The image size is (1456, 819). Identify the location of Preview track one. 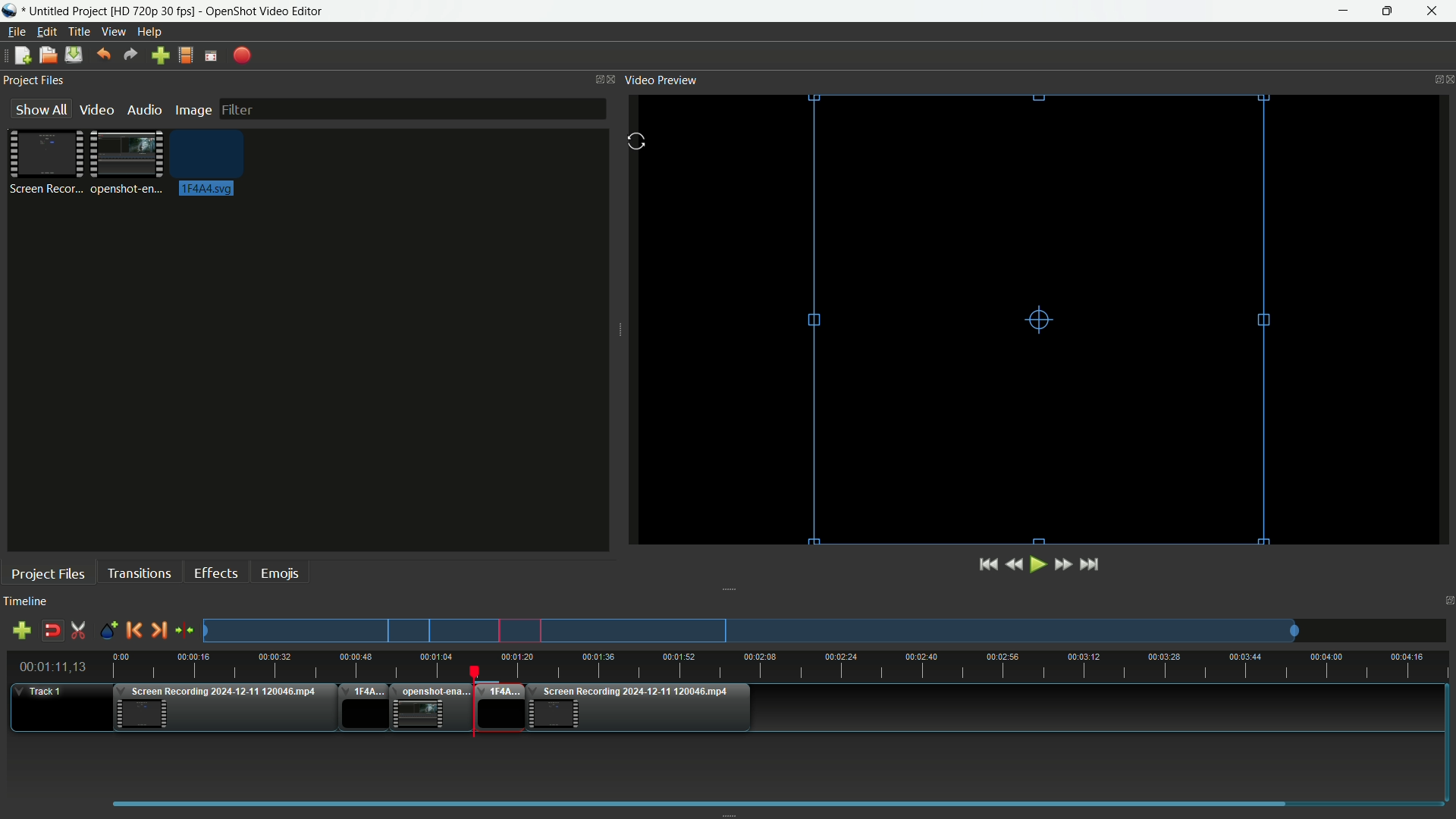
(830, 631).